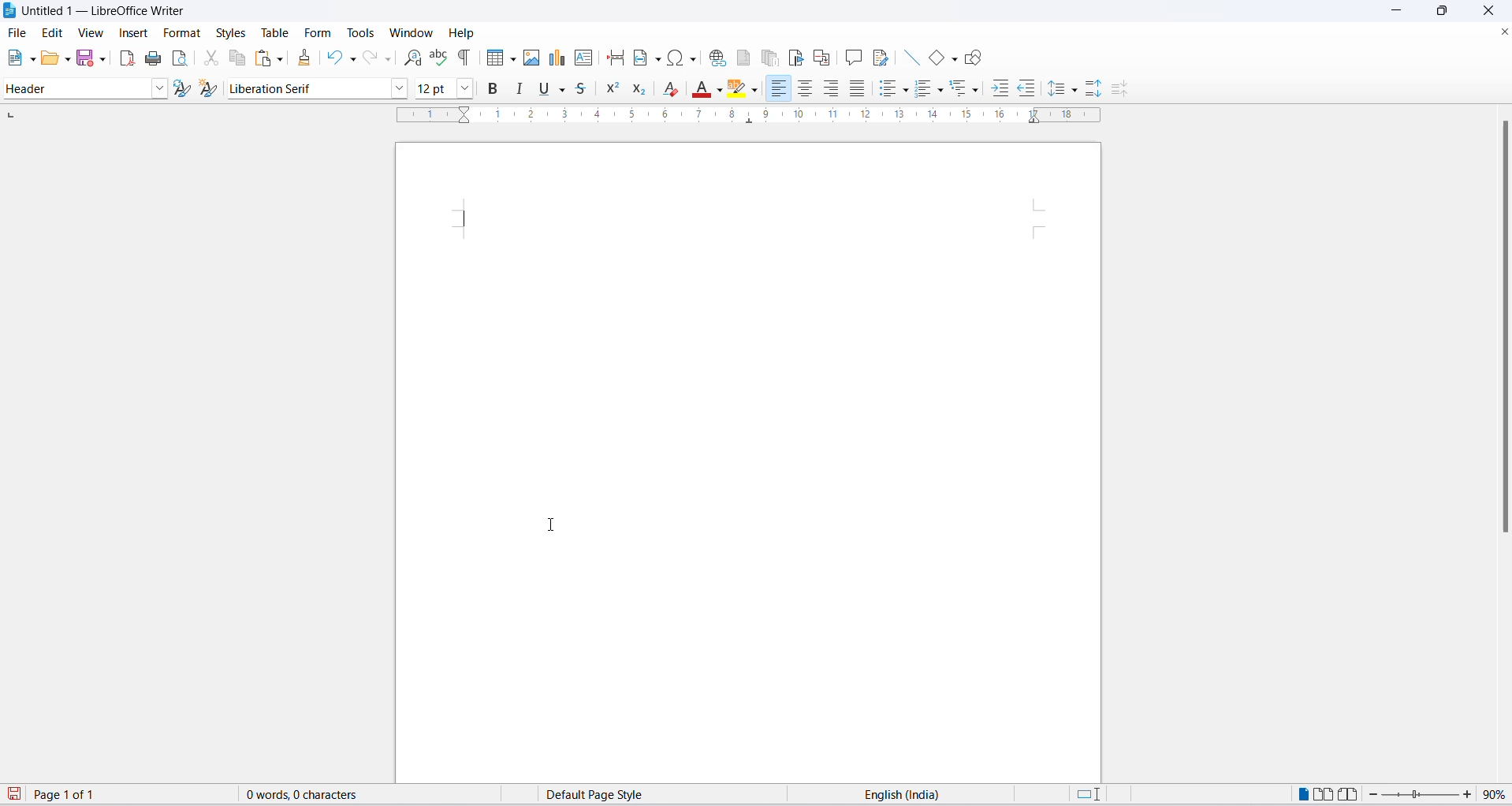 The width and height of the screenshot is (1512, 806). Describe the element at coordinates (261, 59) in the screenshot. I see `paste` at that location.